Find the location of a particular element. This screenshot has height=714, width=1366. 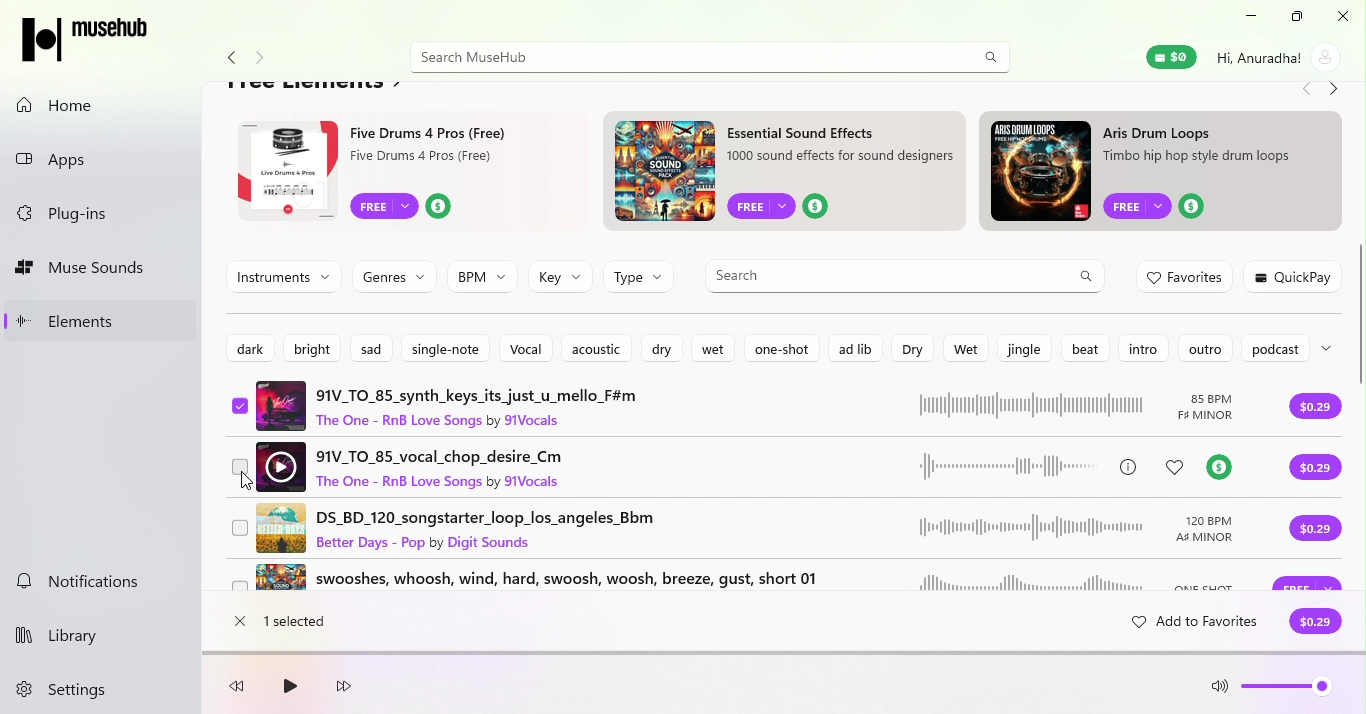

Quick play is located at coordinates (1295, 276).